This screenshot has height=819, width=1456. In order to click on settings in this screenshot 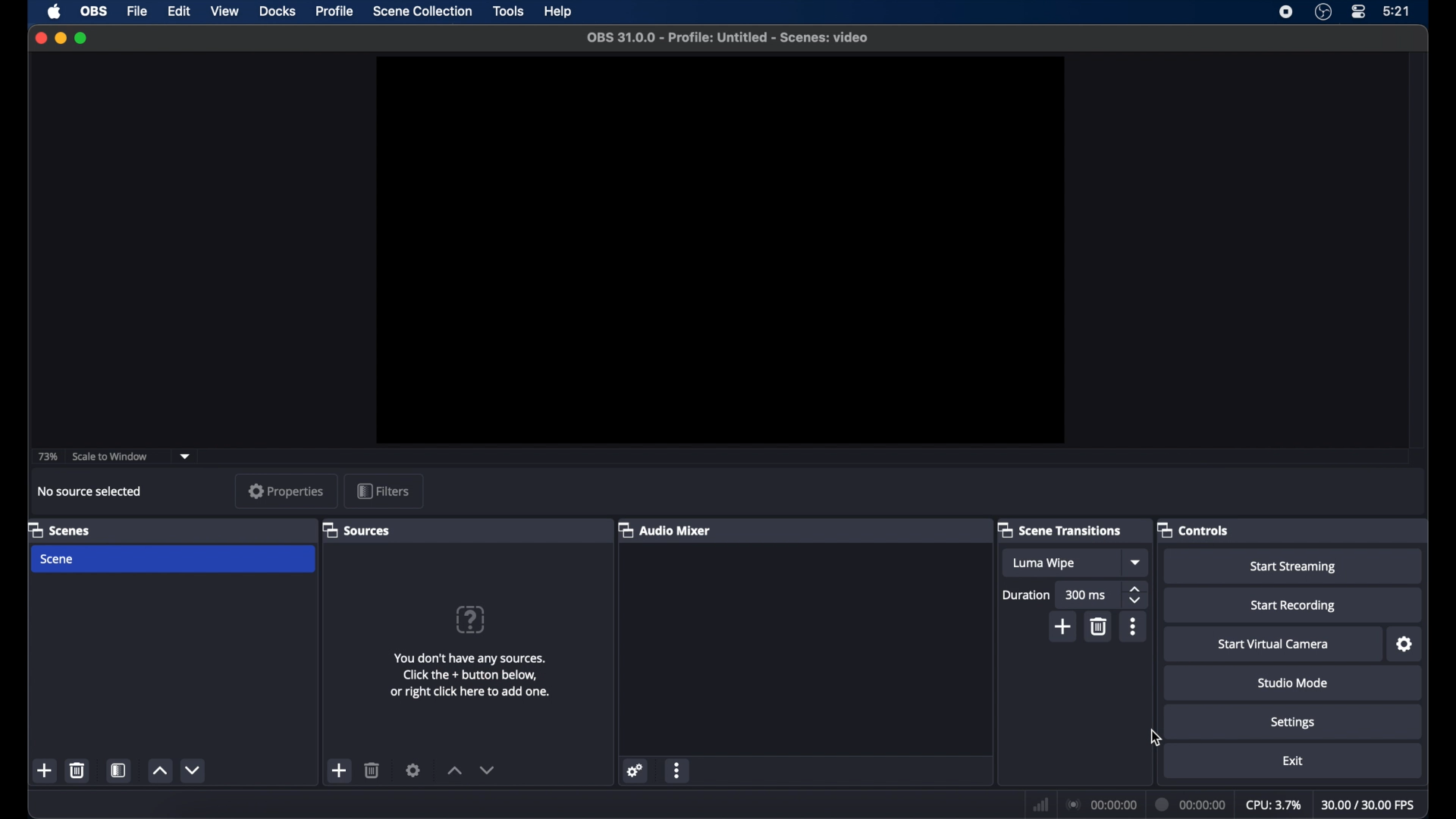, I will do `click(635, 770)`.